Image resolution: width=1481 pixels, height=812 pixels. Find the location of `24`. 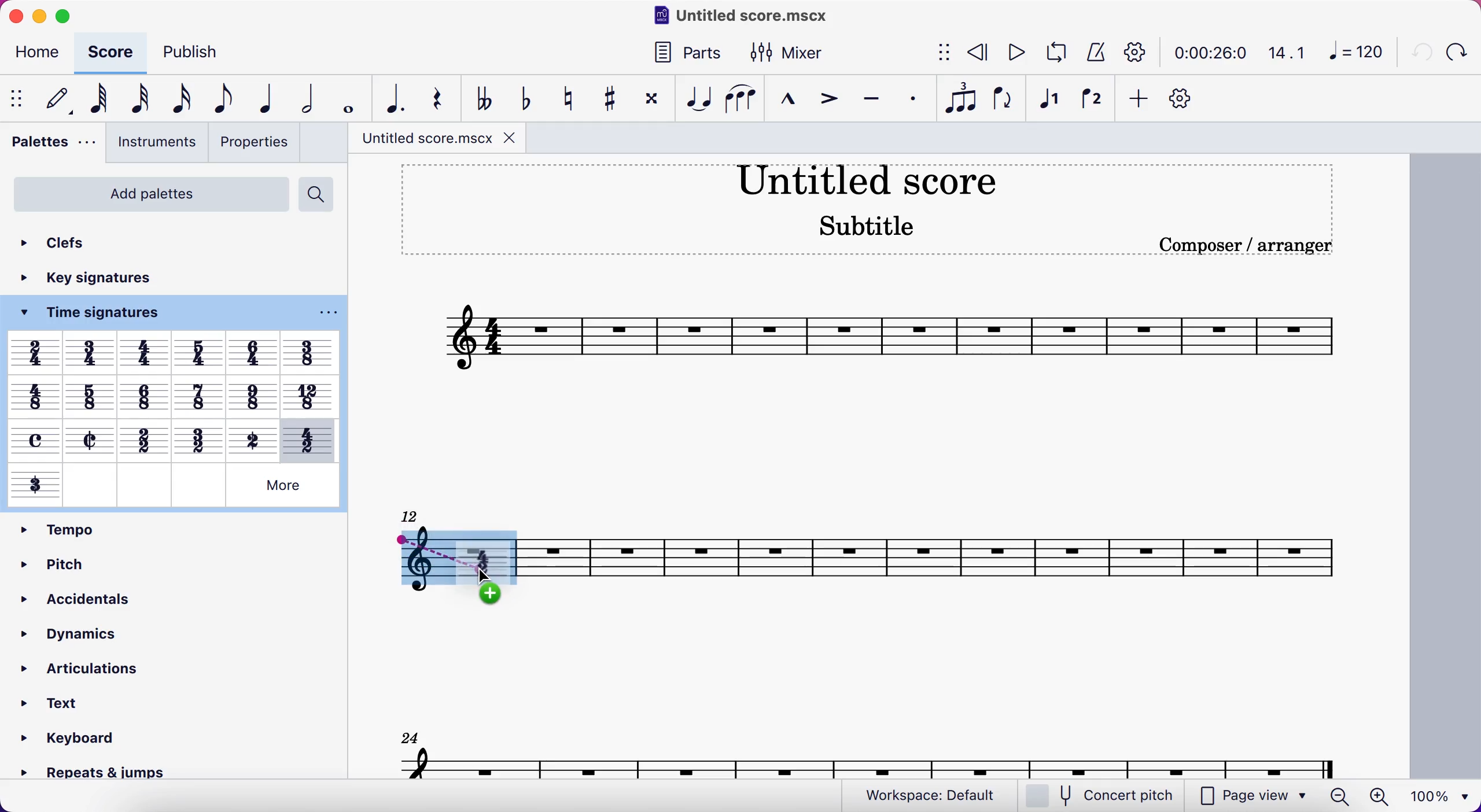

24 is located at coordinates (405, 738).